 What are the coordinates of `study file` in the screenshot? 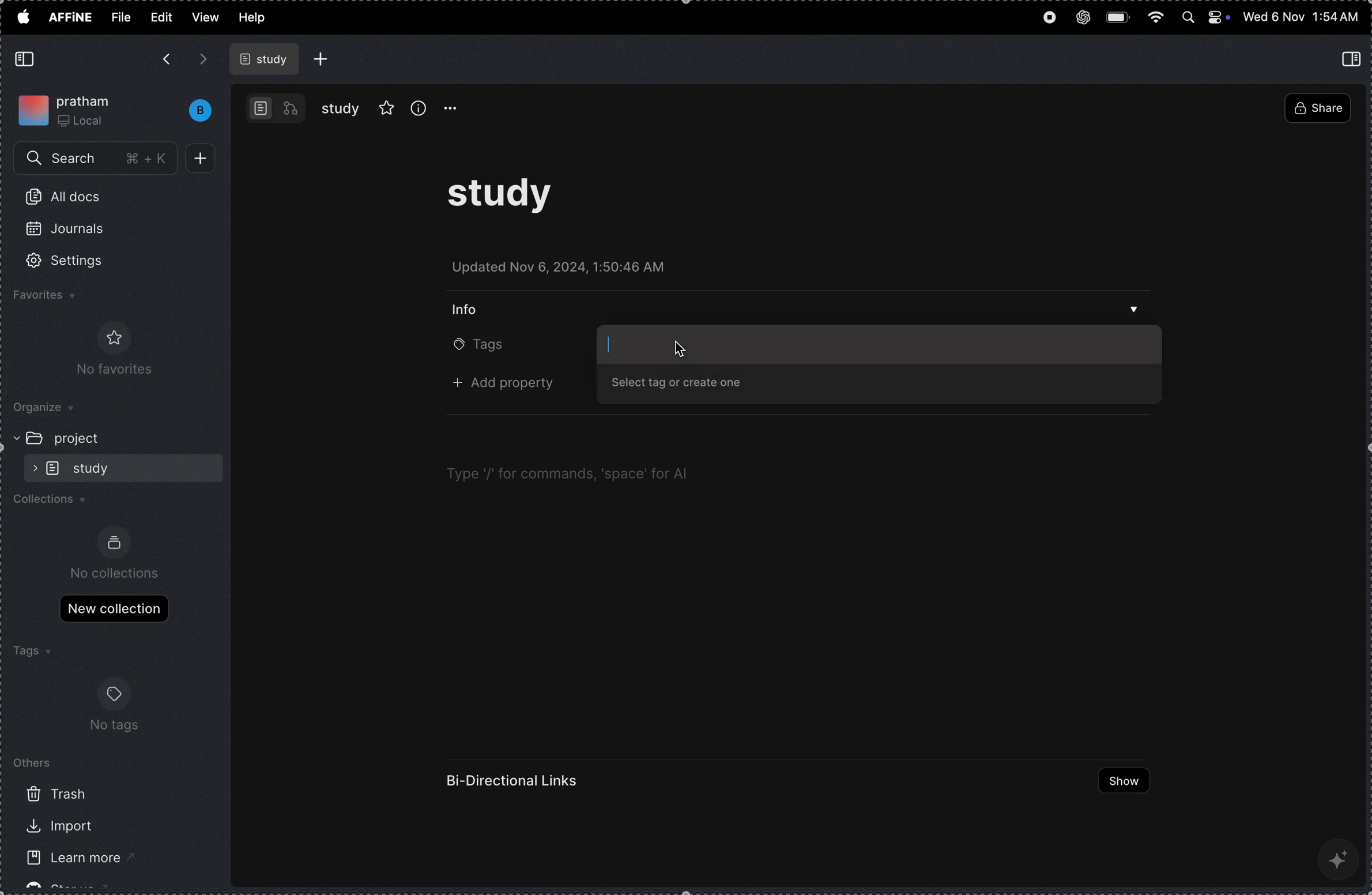 It's located at (266, 59).